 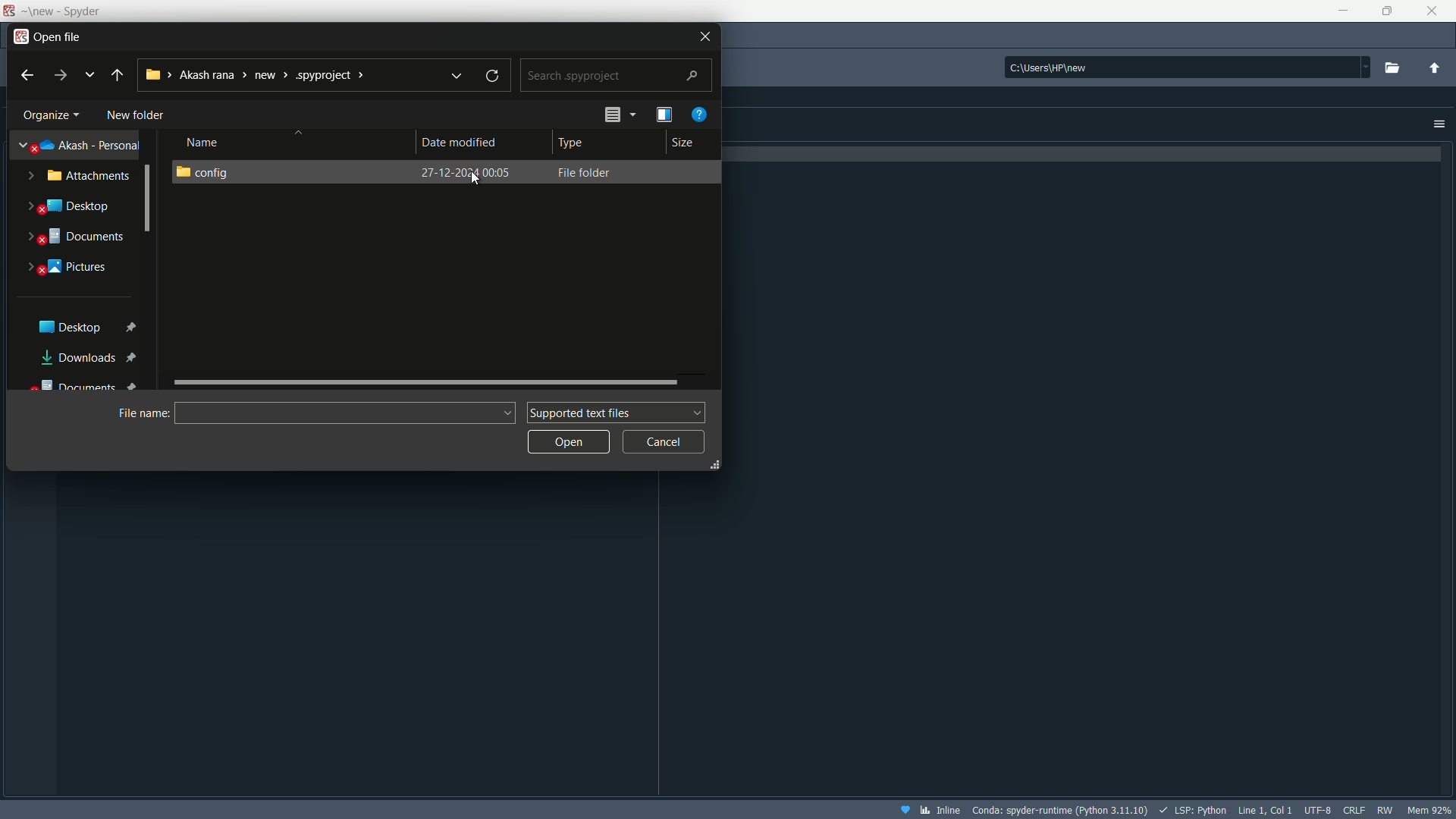 What do you see at coordinates (84, 328) in the screenshot?
I see `Desktop` at bounding box center [84, 328].